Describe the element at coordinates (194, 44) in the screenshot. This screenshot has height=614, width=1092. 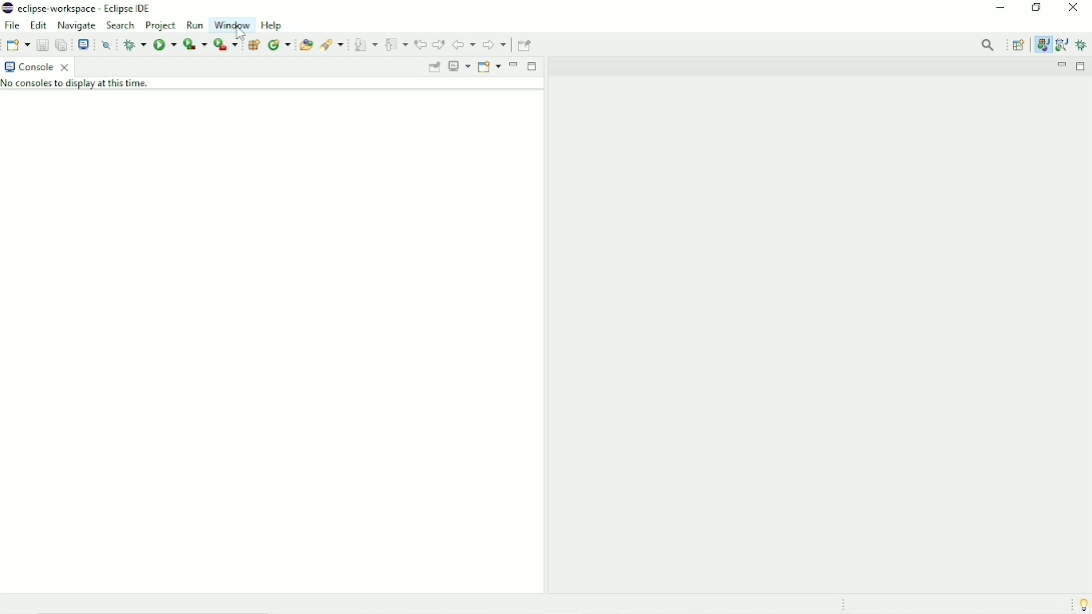
I see `Coverage` at that location.